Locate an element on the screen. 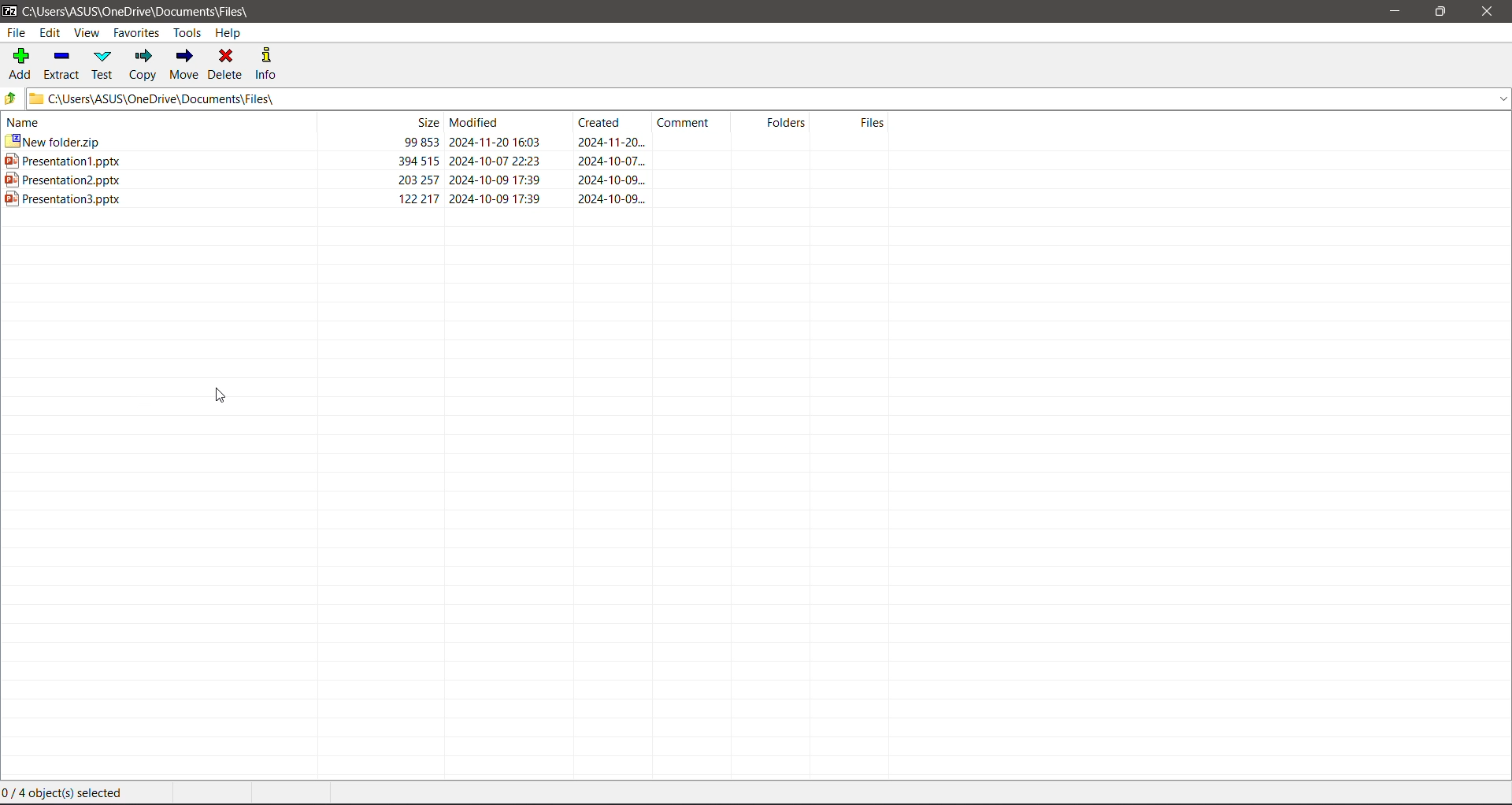 The height and width of the screenshot is (805, 1512). ppt 2 is located at coordinates (447, 180).